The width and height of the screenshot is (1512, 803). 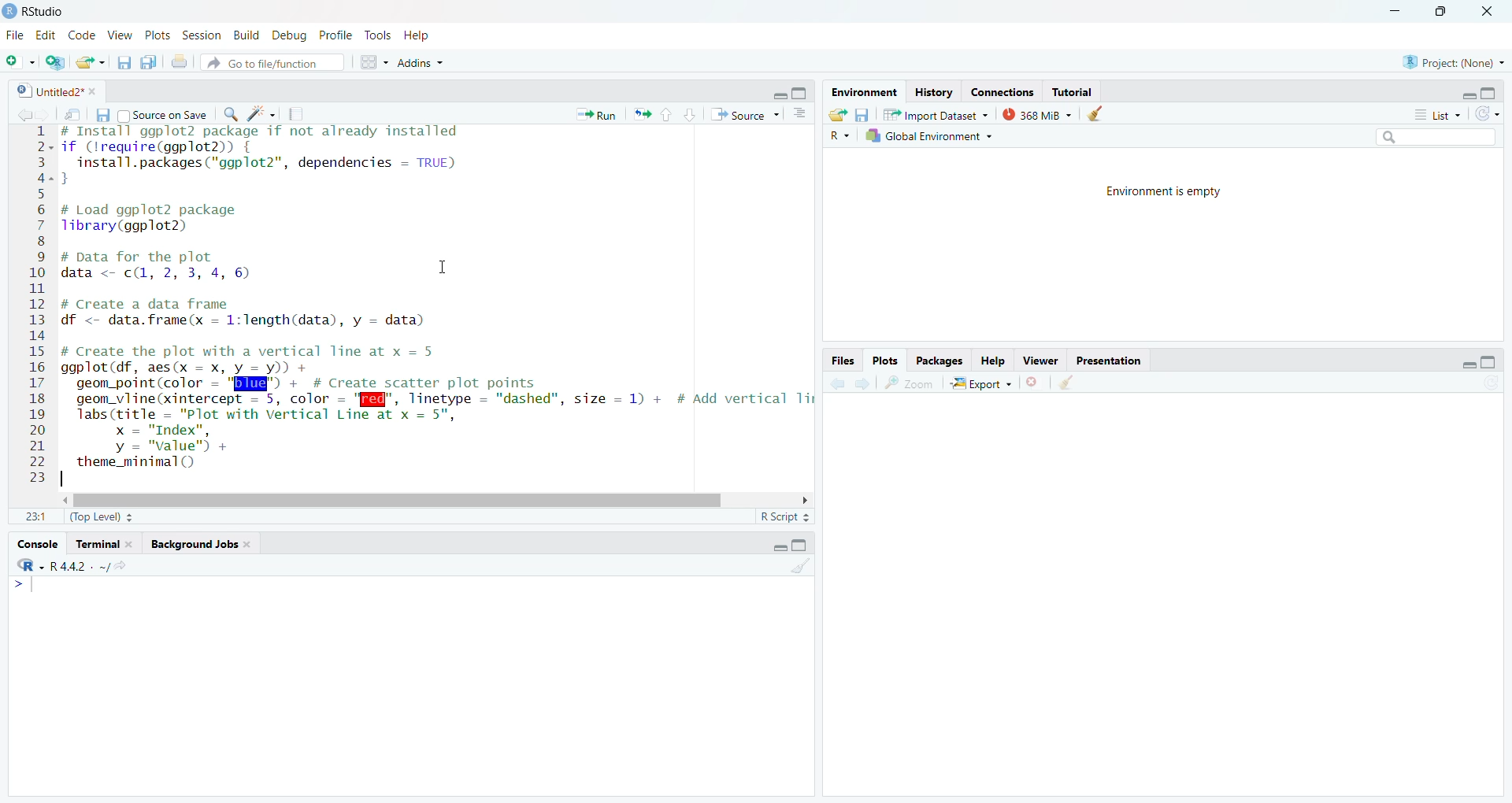 I want to click on * Run, so click(x=595, y=115).